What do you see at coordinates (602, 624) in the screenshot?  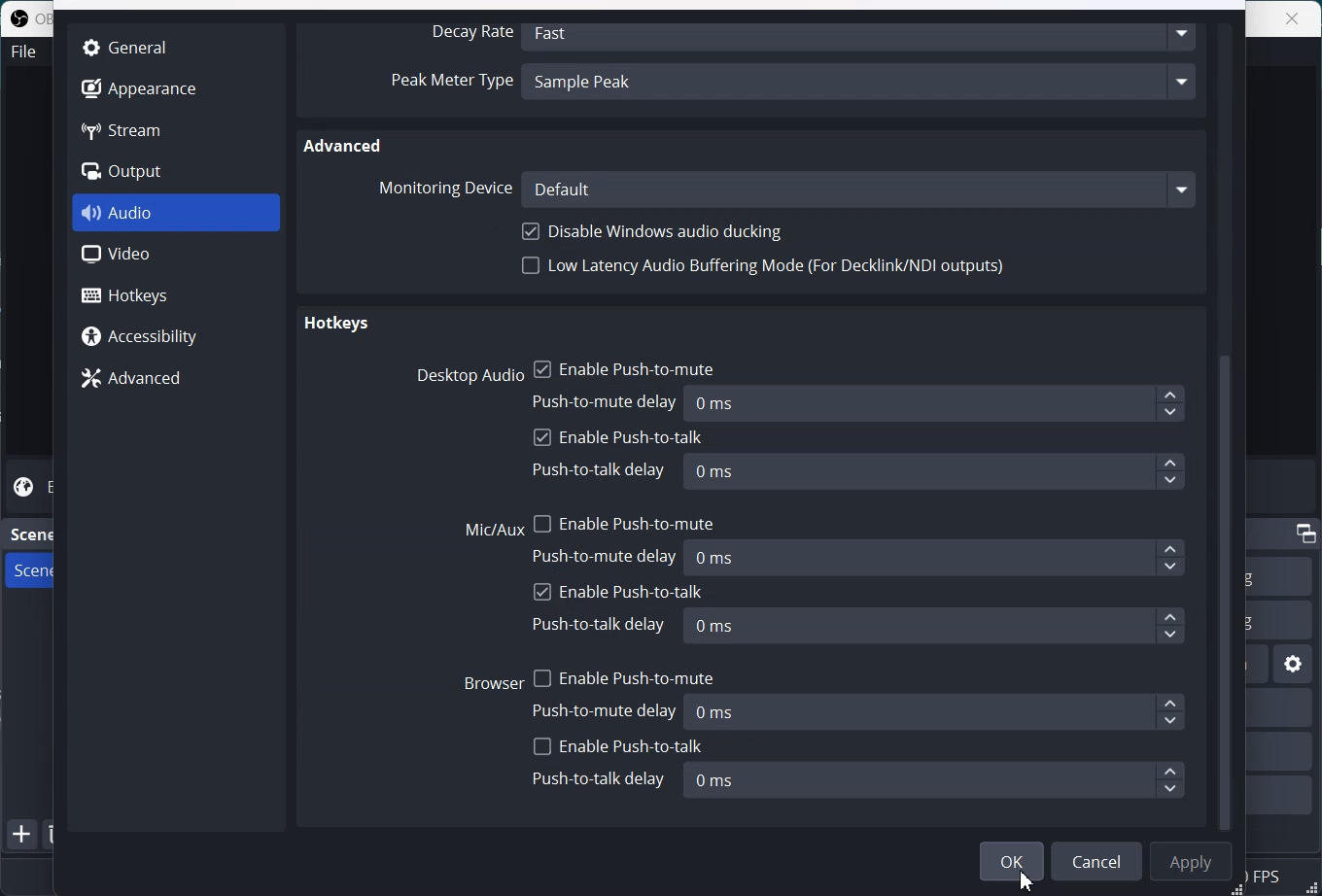 I see `Push-to-talk delay` at bounding box center [602, 624].